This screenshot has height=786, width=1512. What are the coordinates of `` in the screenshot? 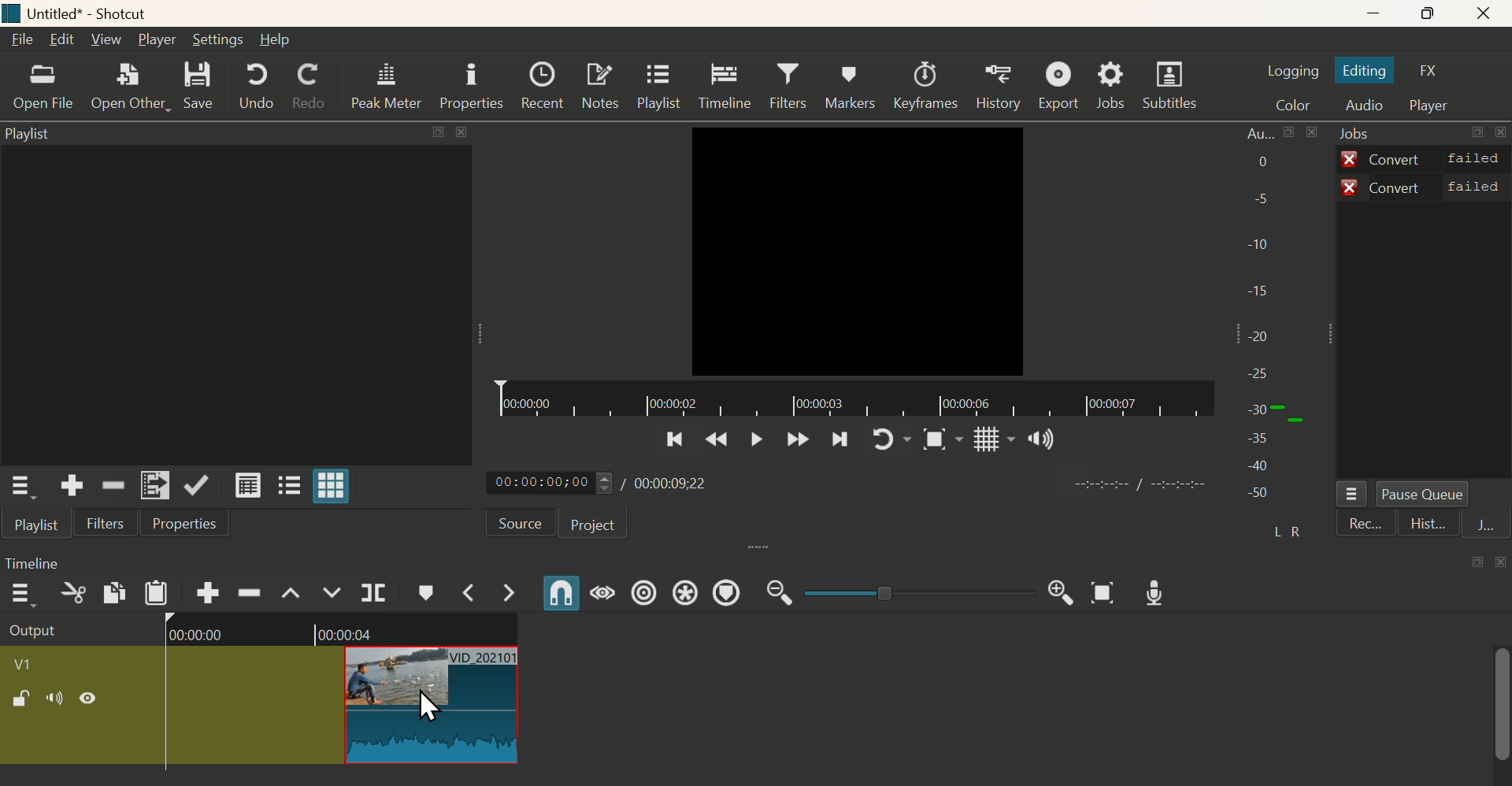 It's located at (524, 522).